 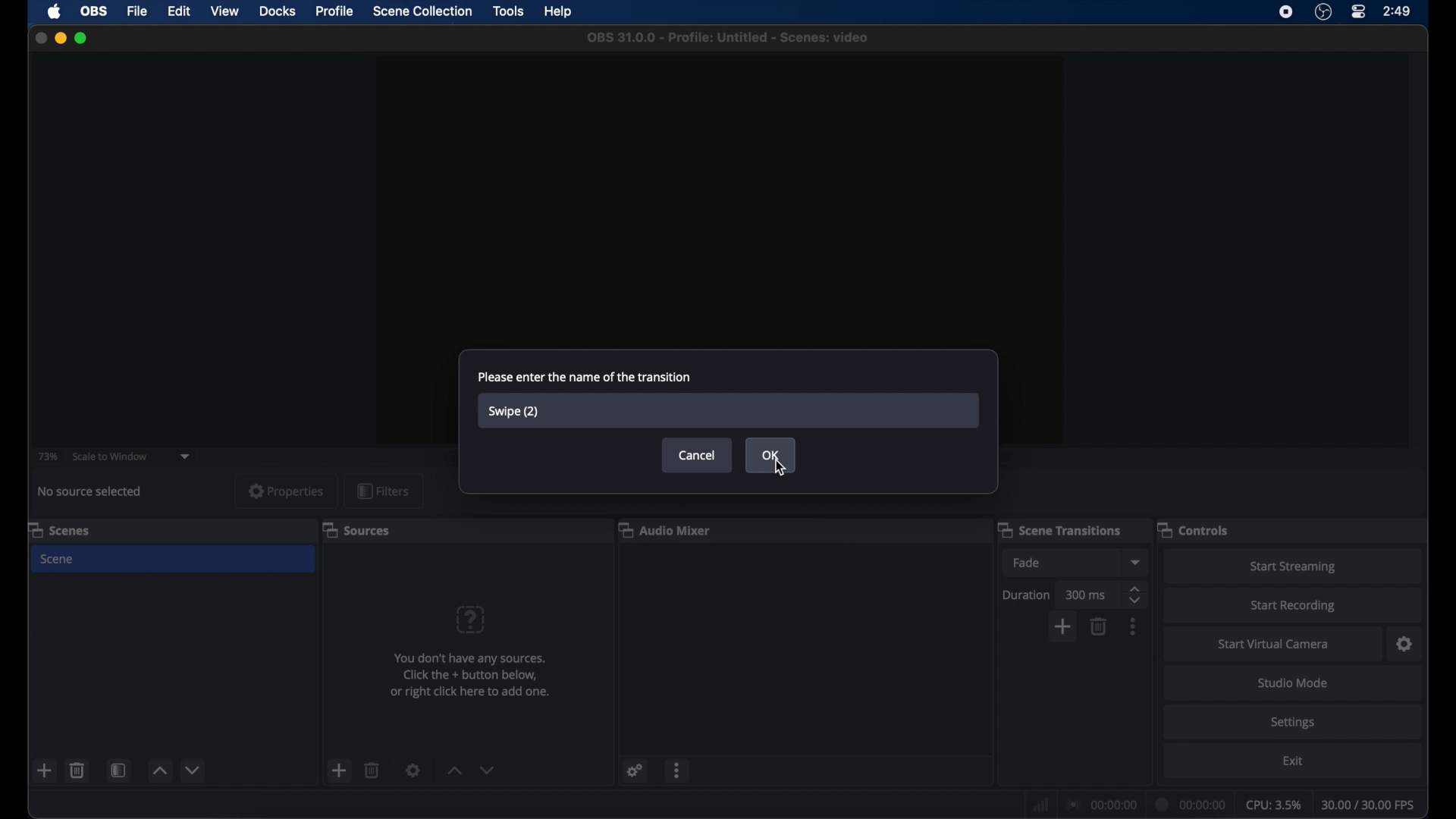 What do you see at coordinates (384, 491) in the screenshot?
I see `filters` at bounding box center [384, 491].